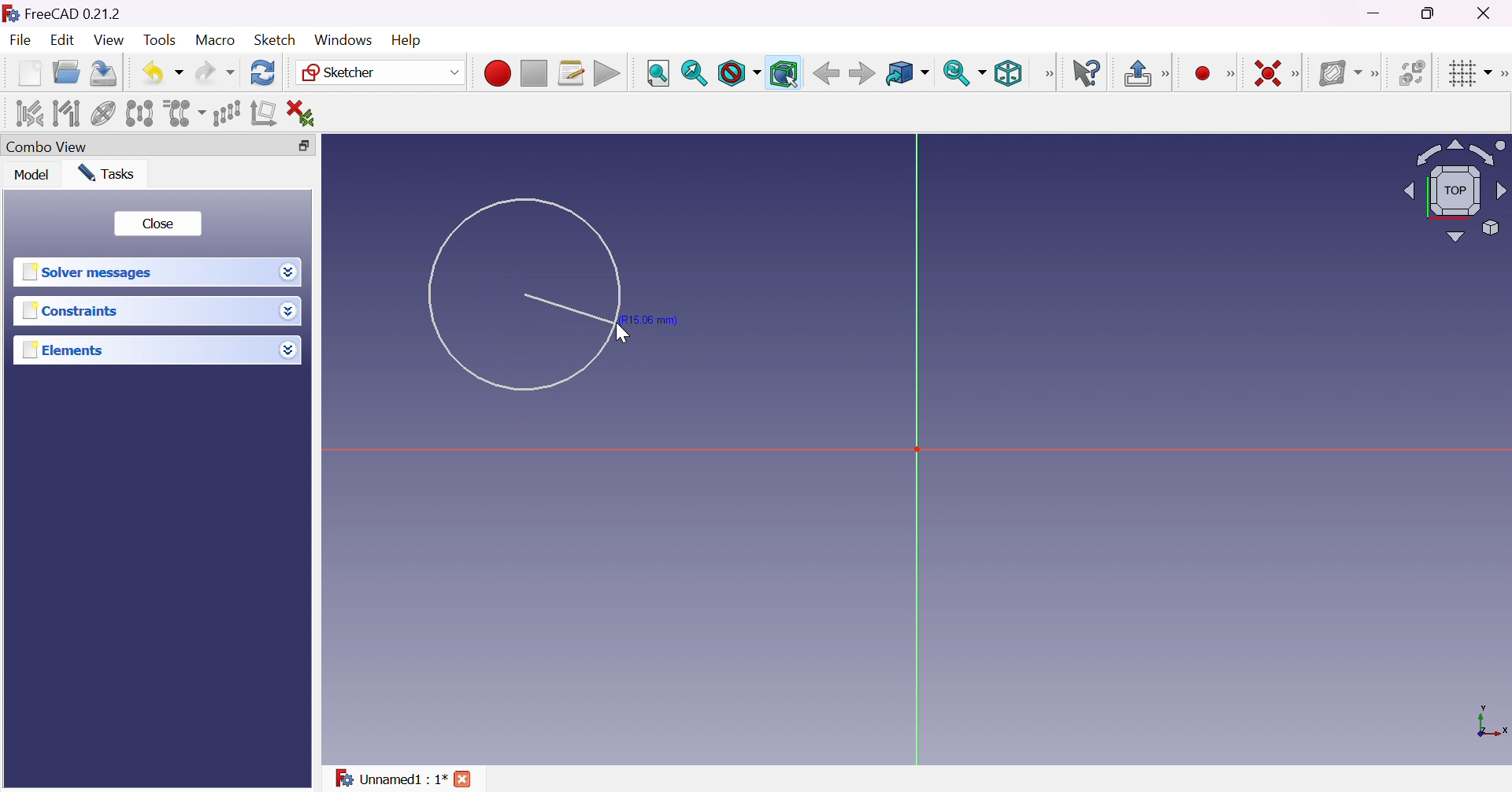 The height and width of the screenshot is (792, 1512). What do you see at coordinates (67, 112) in the screenshot?
I see `Select associated geometry` at bounding box center [67, 112].